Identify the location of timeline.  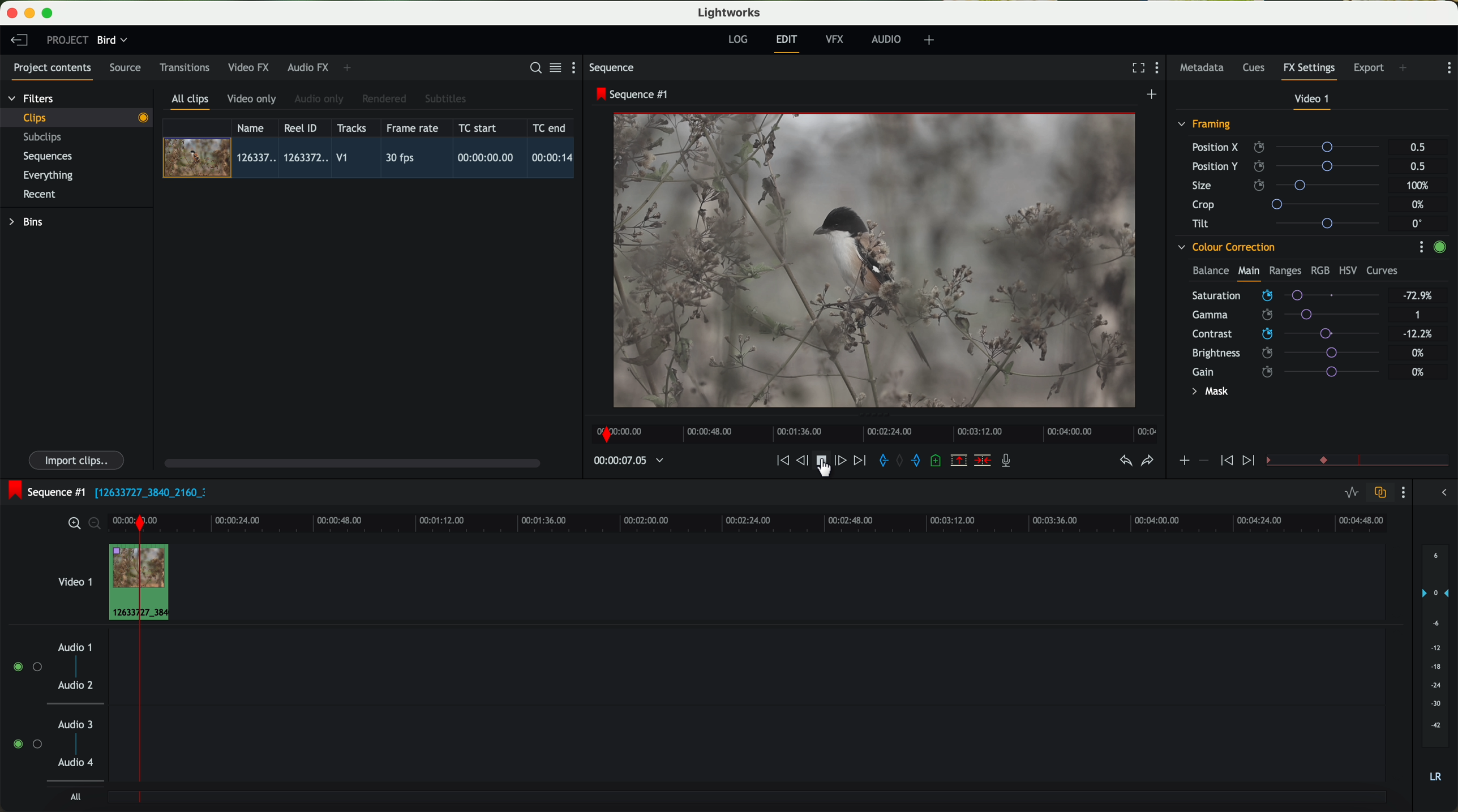
(826, 519).